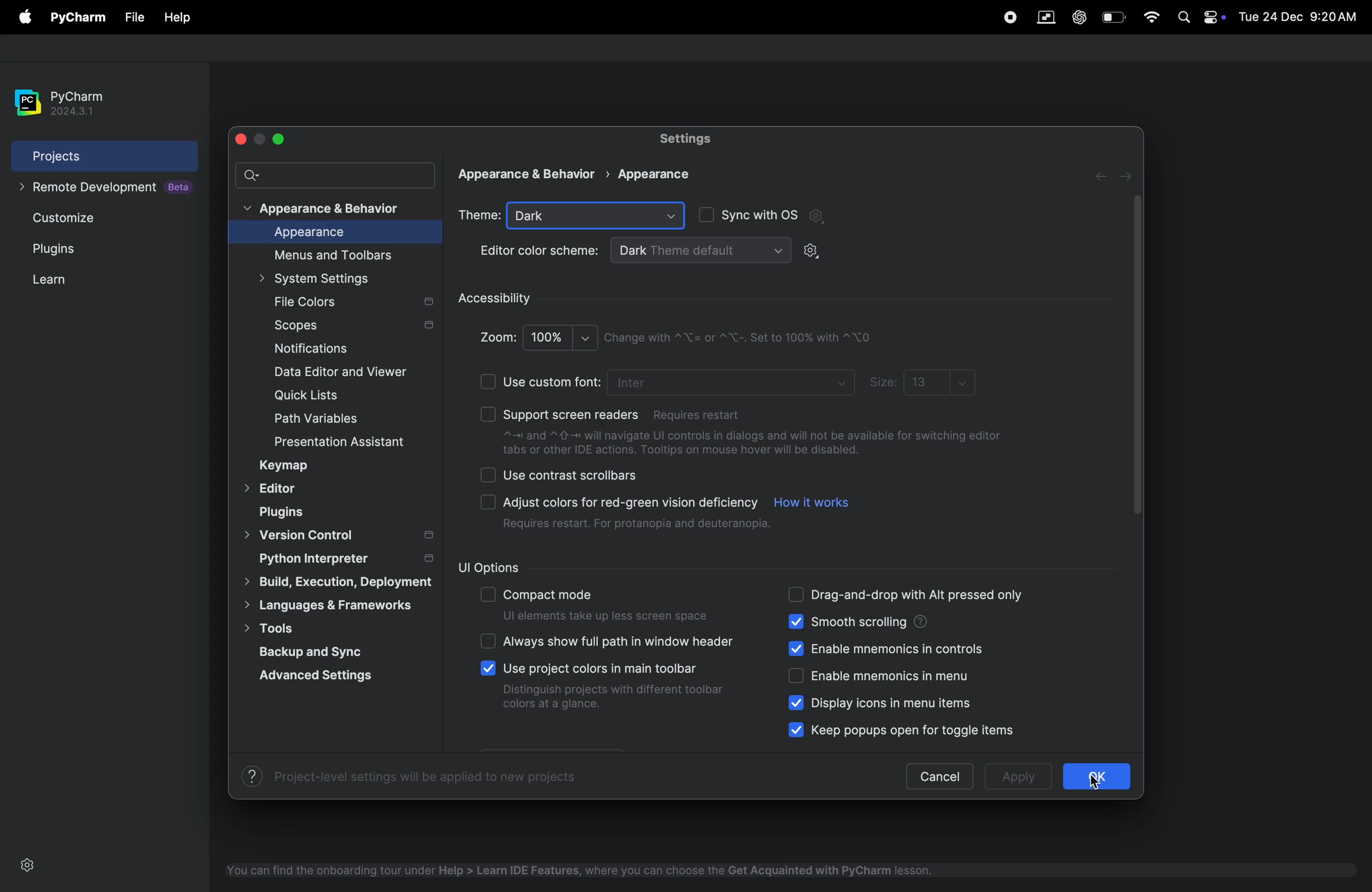 Image resolution: width=1372 pixels, height=892 pixels. I want to click on chatgpt, so click(1078, 17).